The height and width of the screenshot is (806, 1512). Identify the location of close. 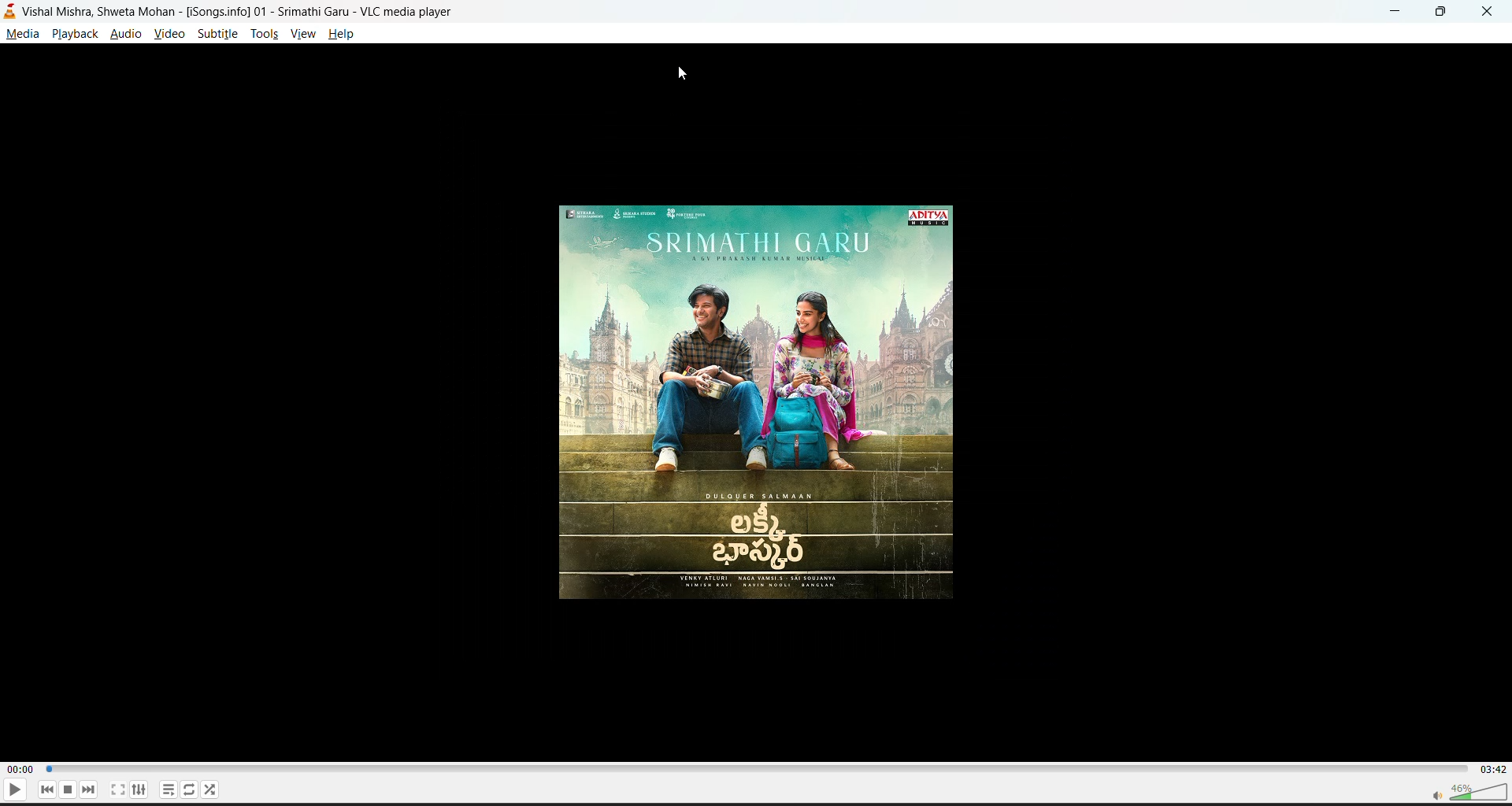
(1488, 14).